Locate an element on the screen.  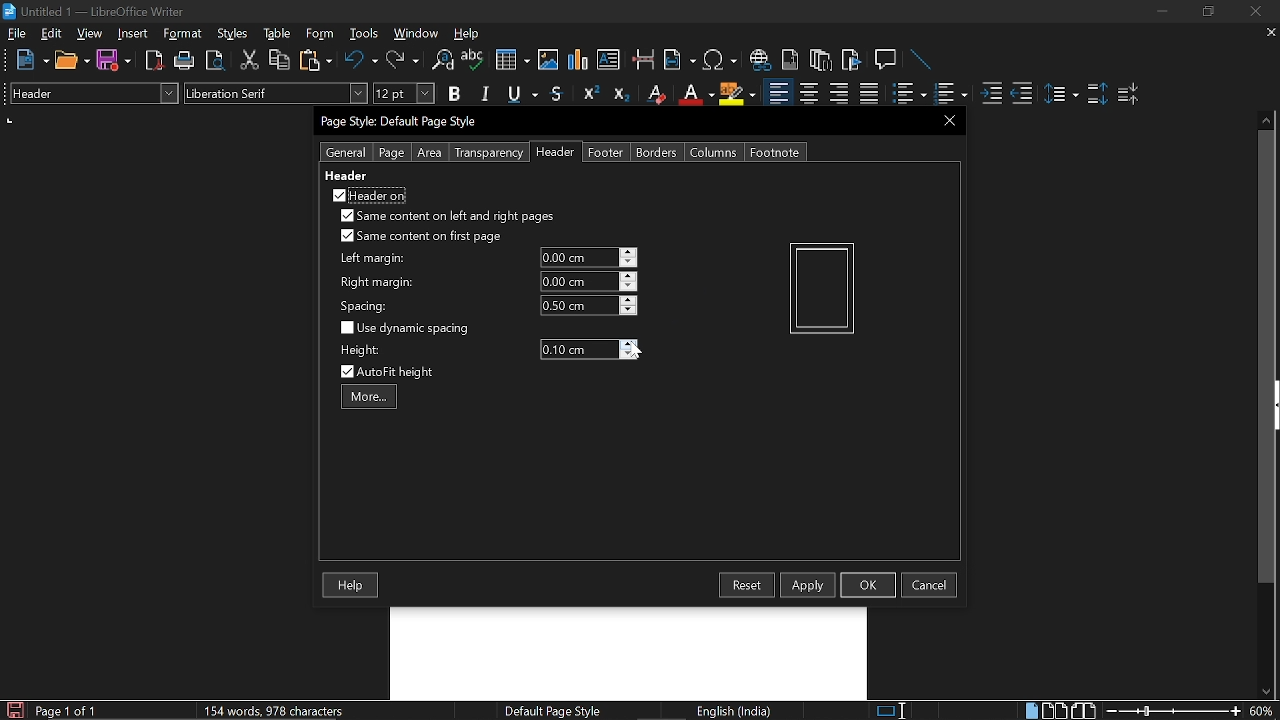
Area is located at coordinates (430, 153).